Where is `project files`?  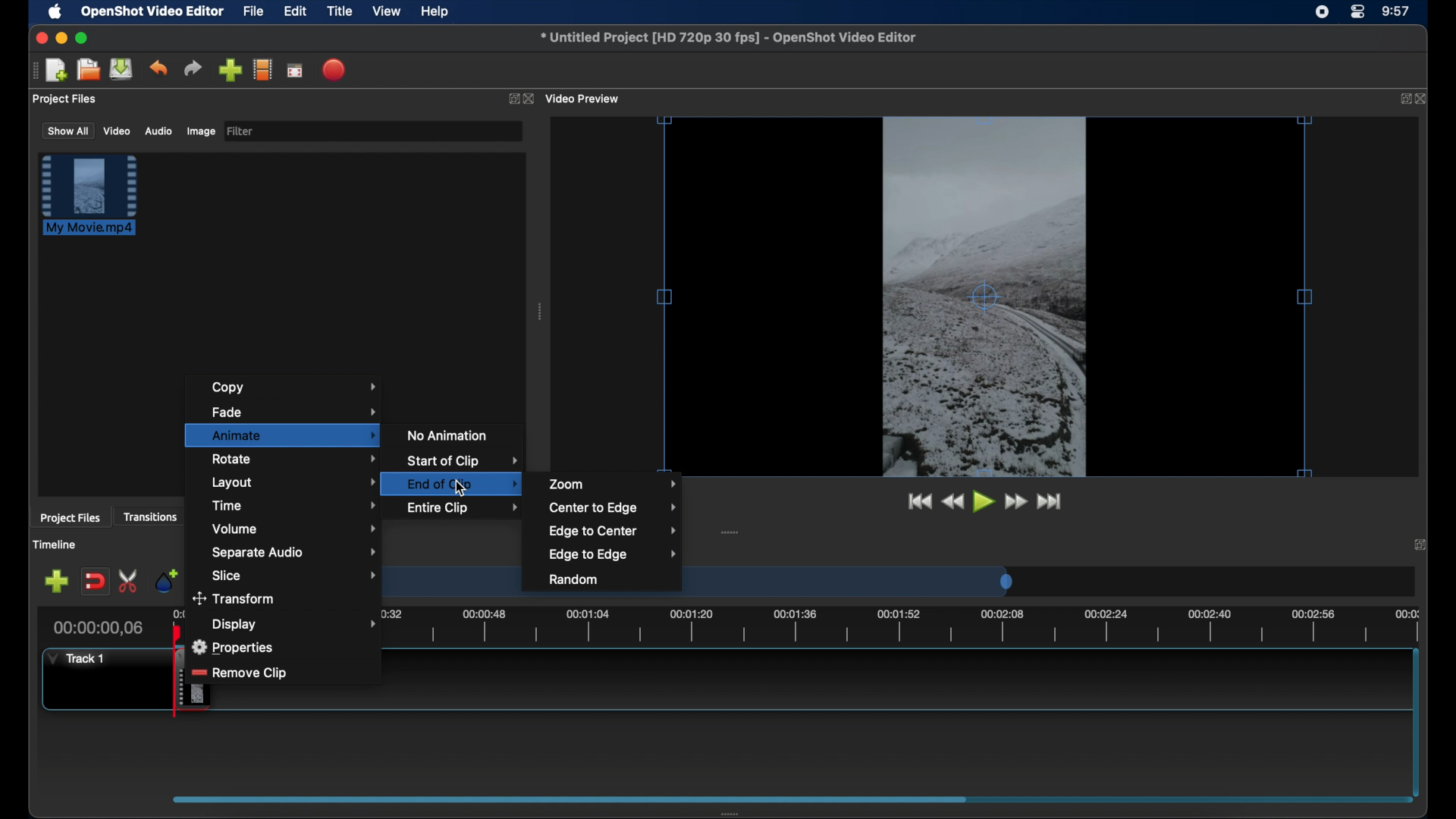 project files is located at coordinates (66, 99).